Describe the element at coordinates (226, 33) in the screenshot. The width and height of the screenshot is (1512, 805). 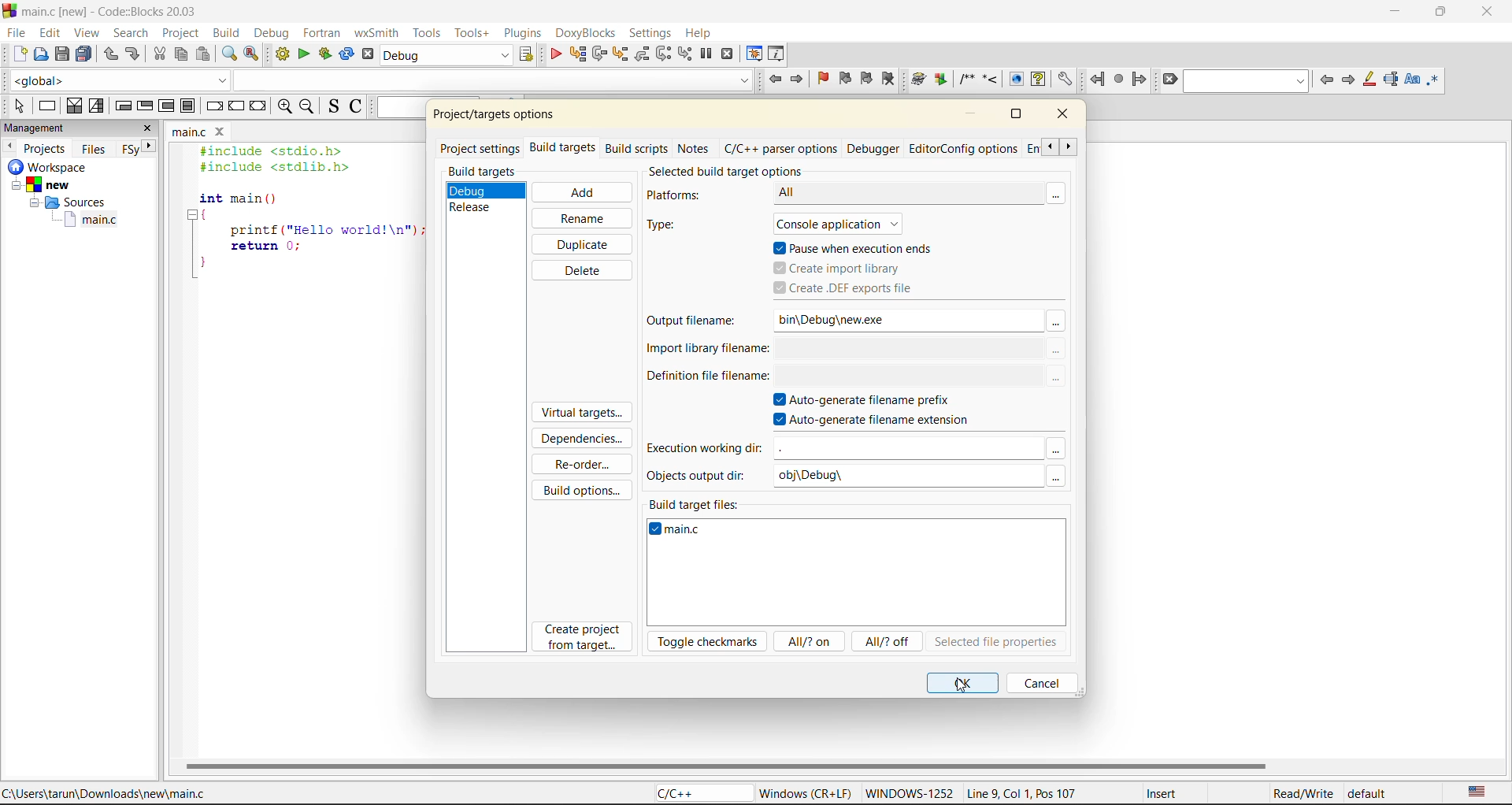
I see `build` at that location.